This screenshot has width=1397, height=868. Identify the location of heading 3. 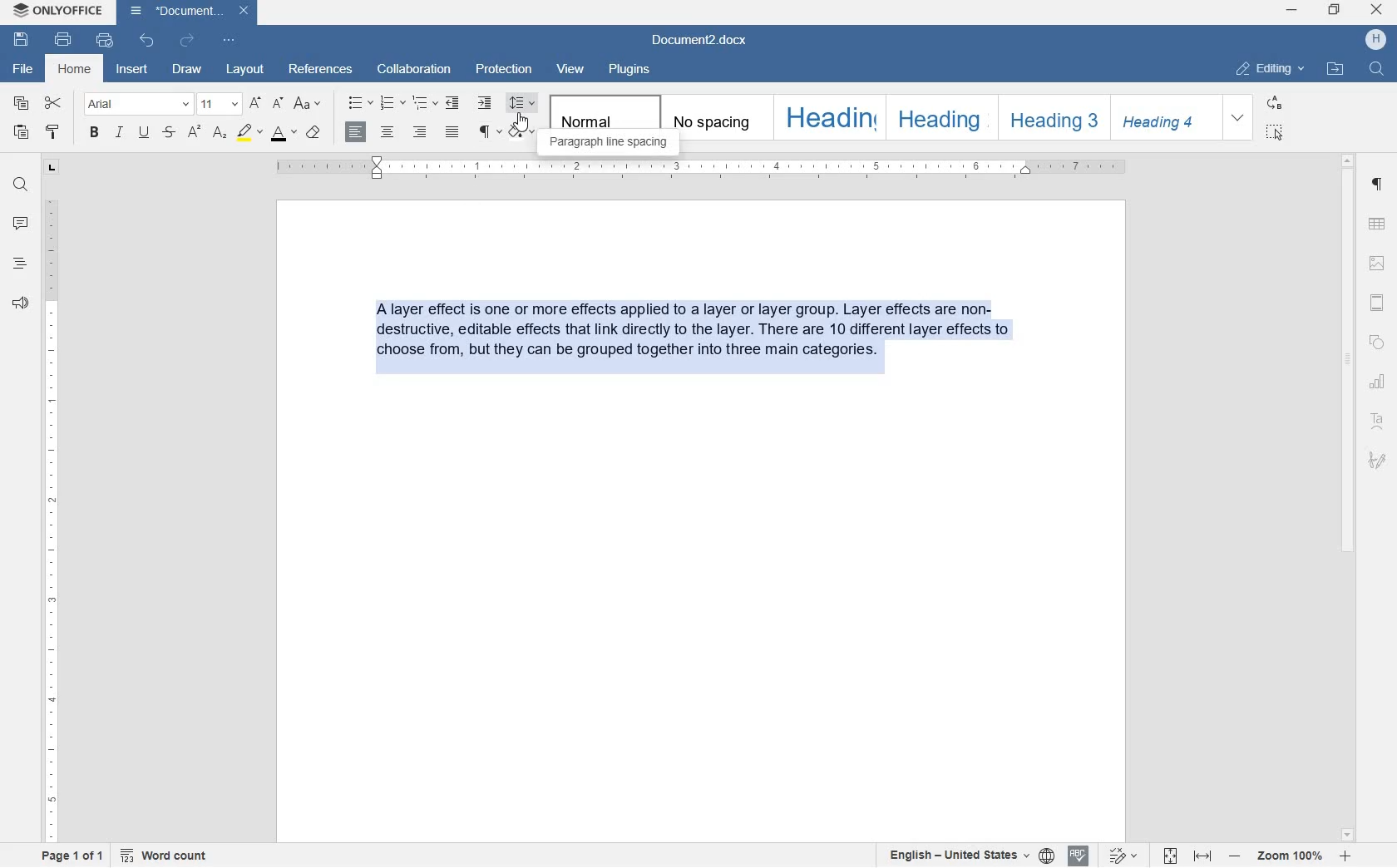
(1054, 118).